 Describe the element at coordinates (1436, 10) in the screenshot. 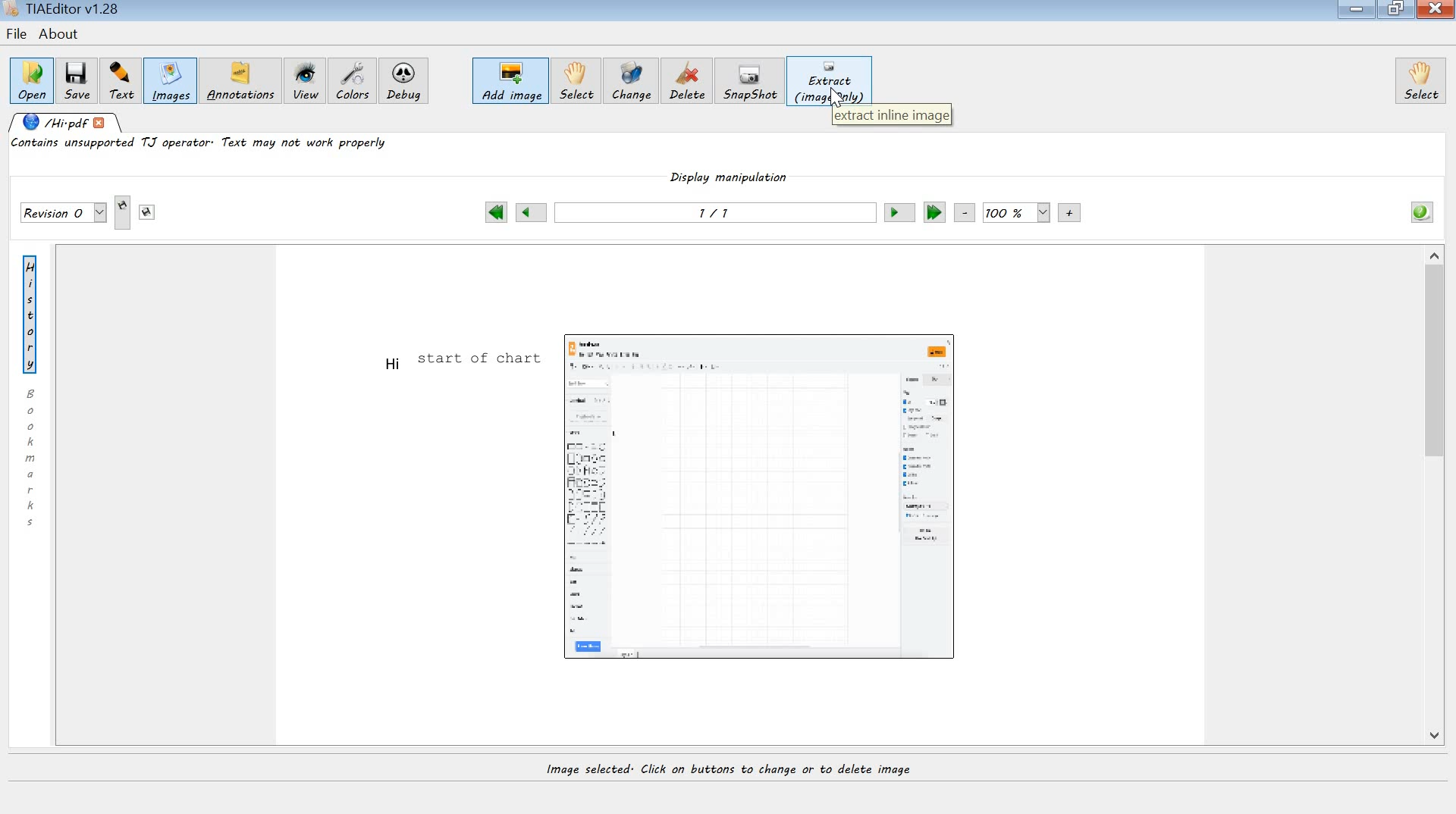

I see `close` at that location.